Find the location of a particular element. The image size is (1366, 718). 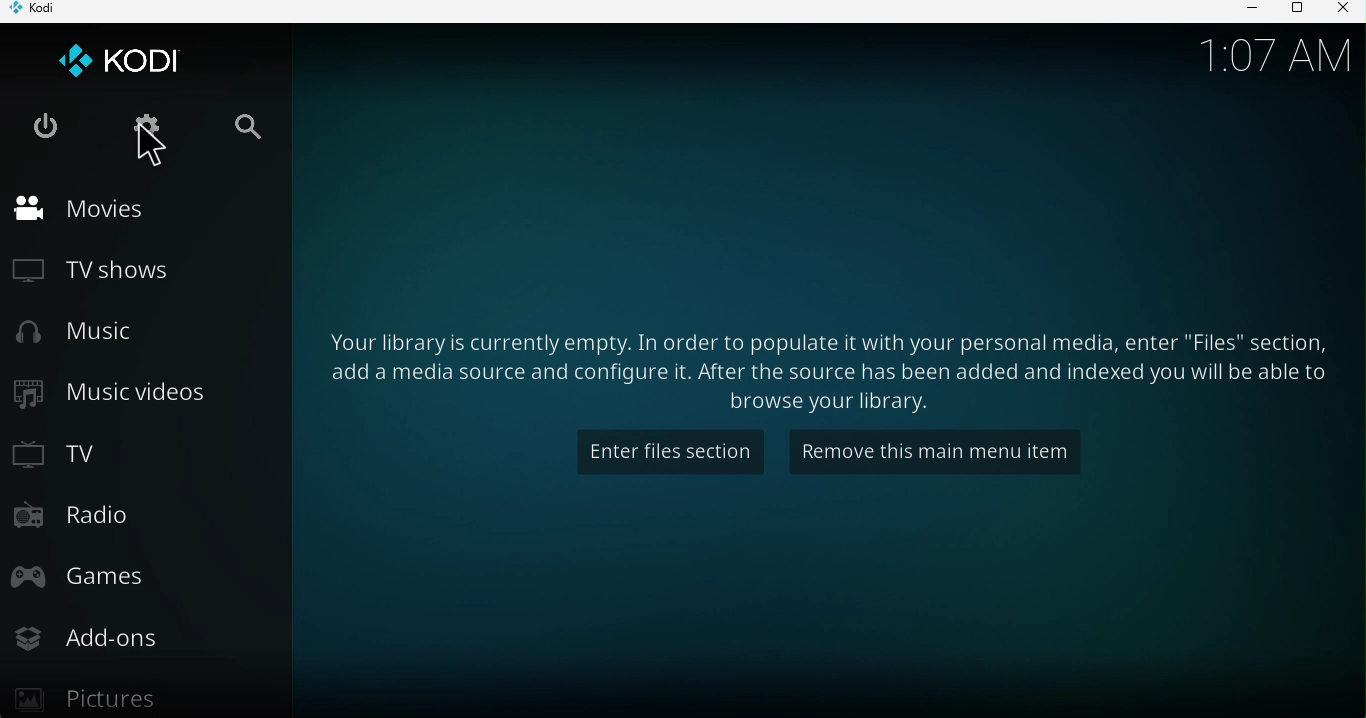

Search is located at coordinates (245, 119).